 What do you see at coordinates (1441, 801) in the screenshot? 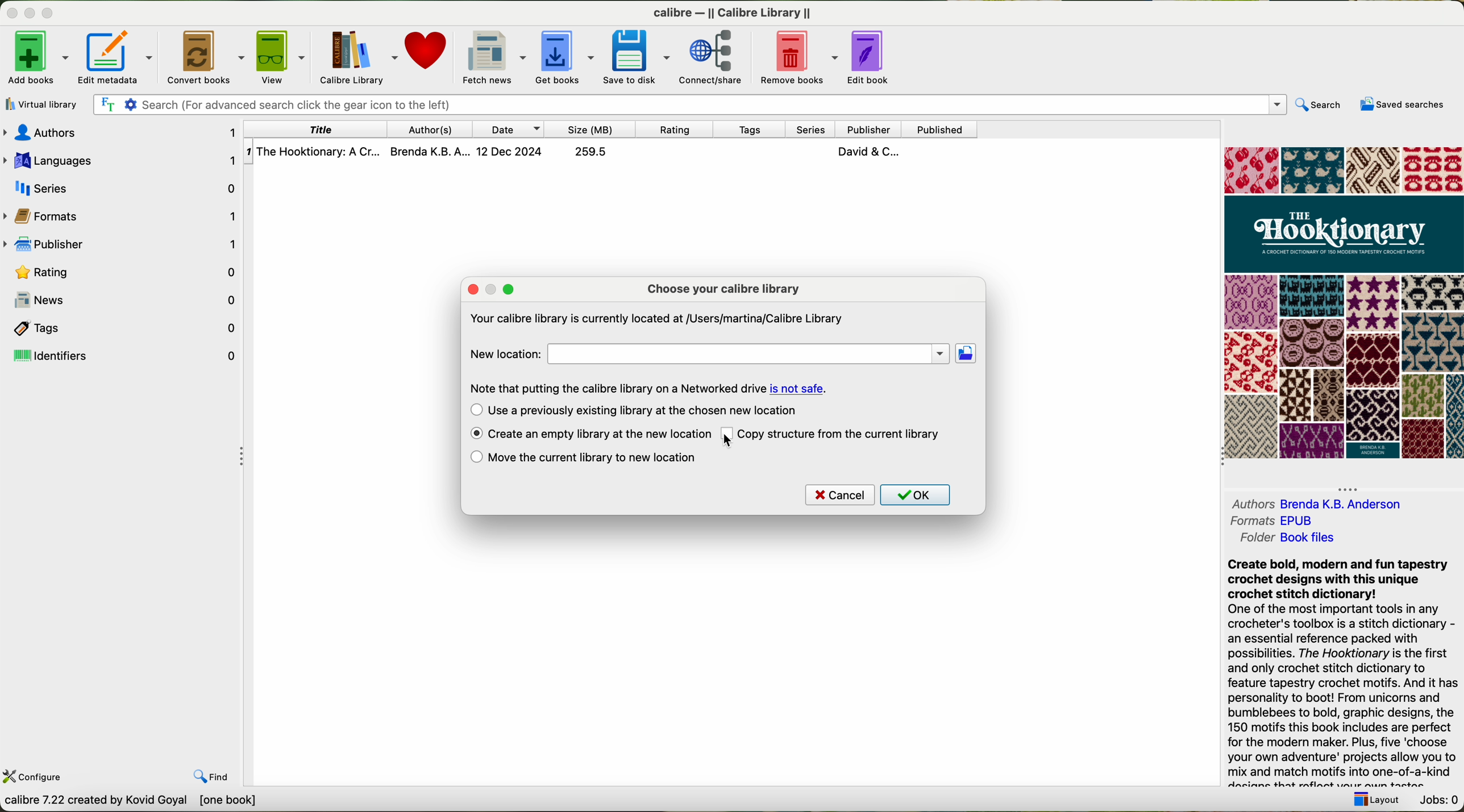
I see `jobs: 0` at bounding box center [1441, 801].